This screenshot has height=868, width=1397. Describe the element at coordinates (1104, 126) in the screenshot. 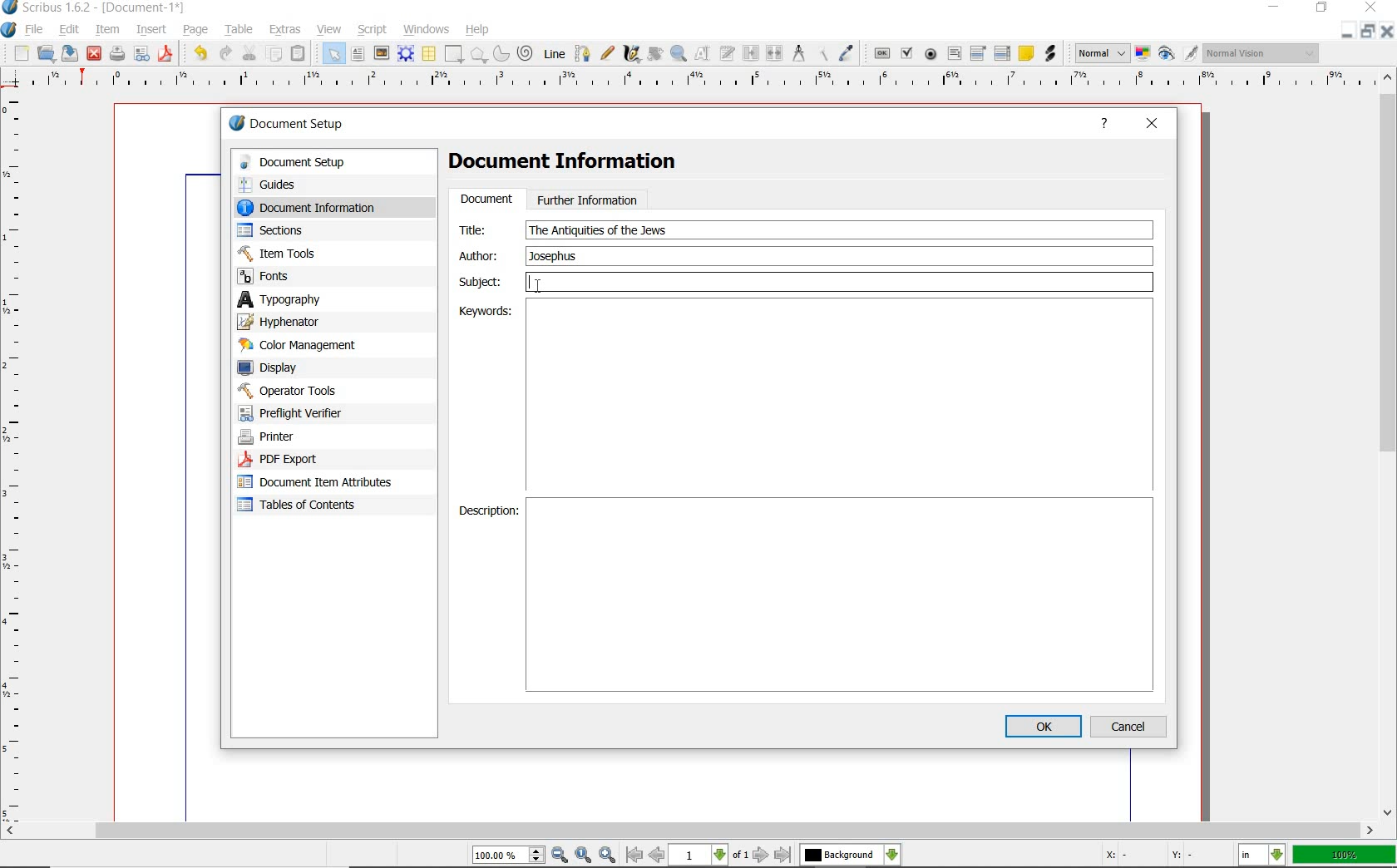

I see `help` at that location.